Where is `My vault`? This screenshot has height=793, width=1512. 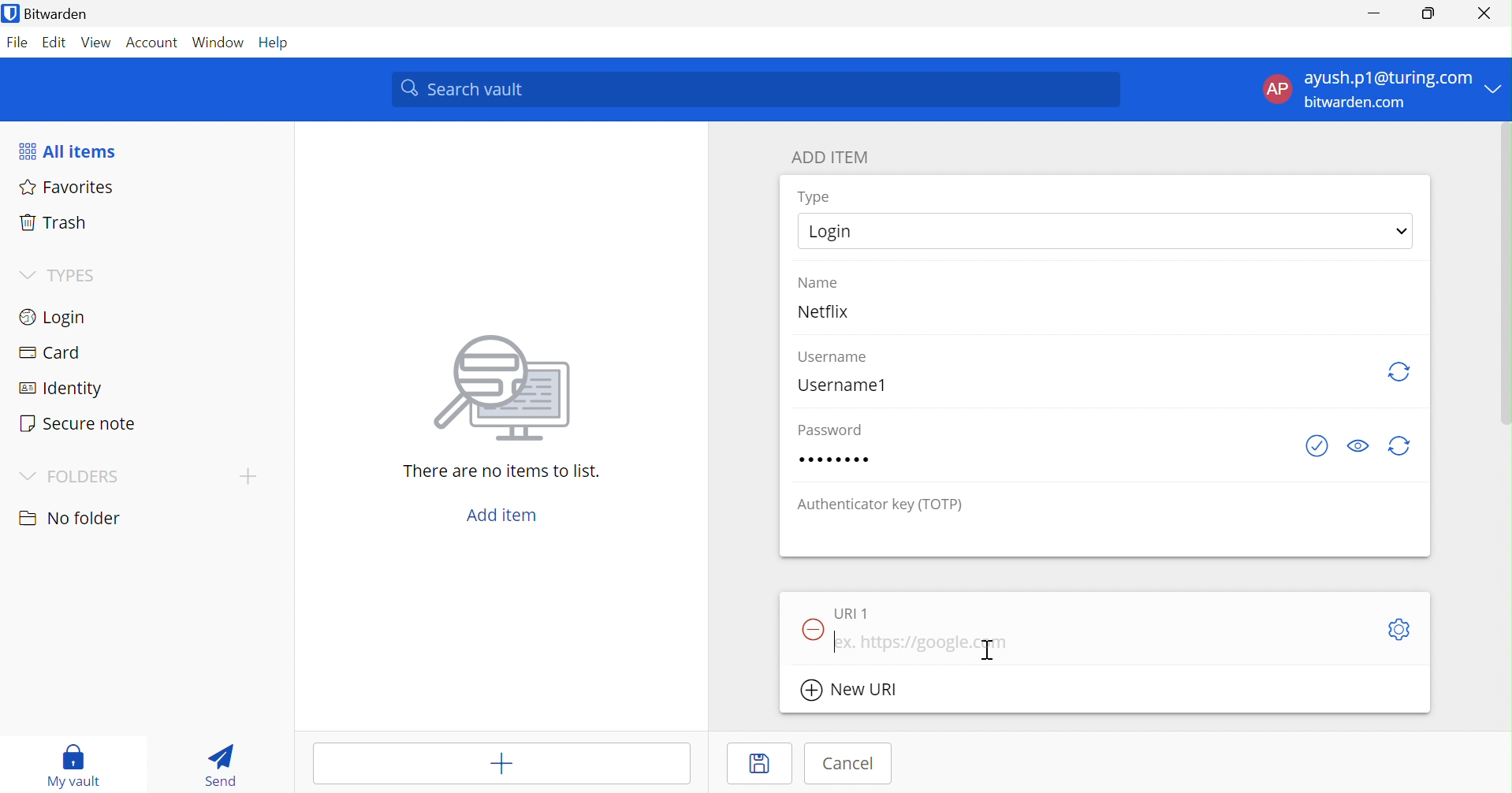 My vault is located at coordinates (73, 765).